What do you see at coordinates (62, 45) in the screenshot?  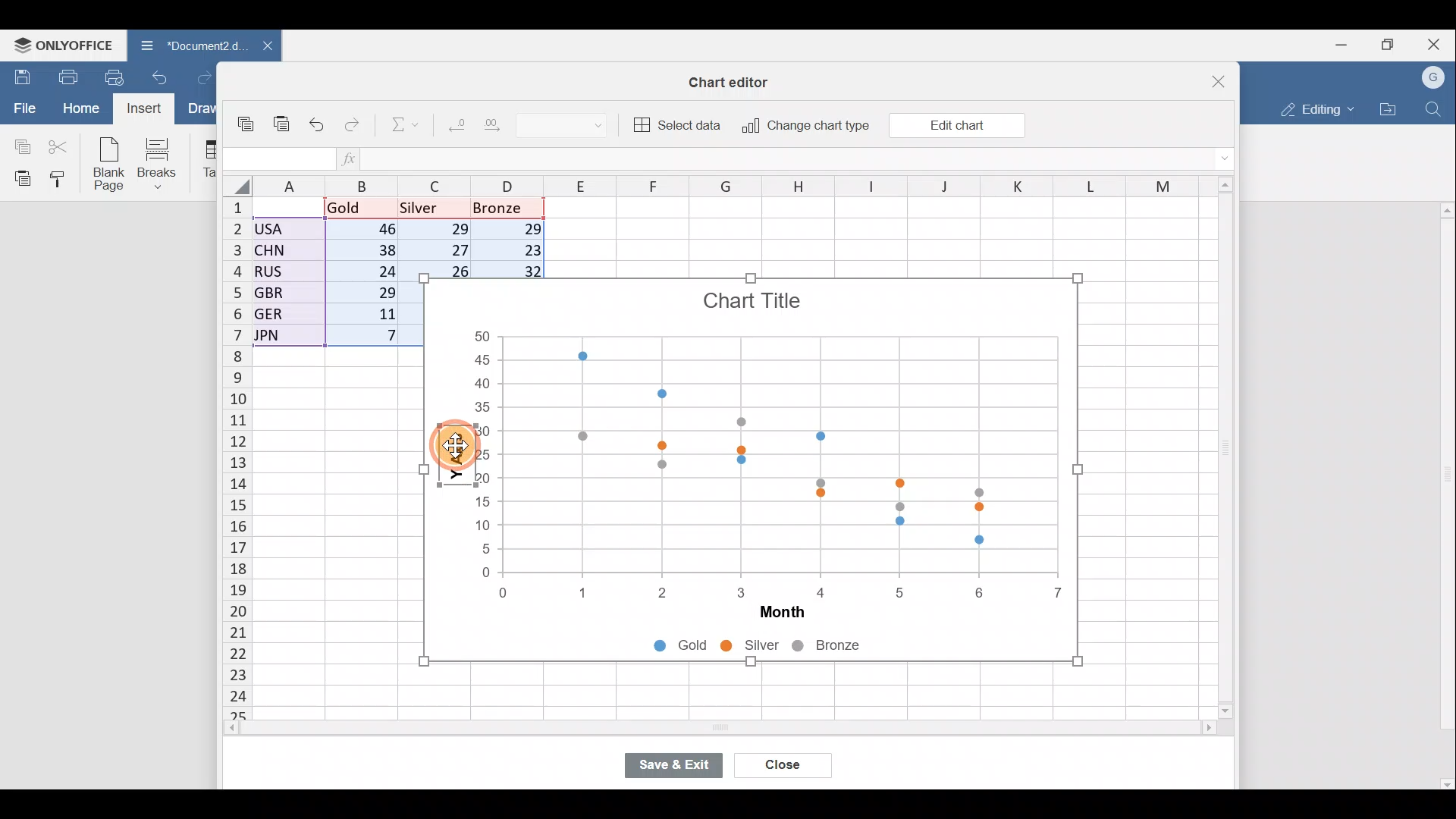 I see `ONLYOFFICE Menu` at bounding box center [62, 45].